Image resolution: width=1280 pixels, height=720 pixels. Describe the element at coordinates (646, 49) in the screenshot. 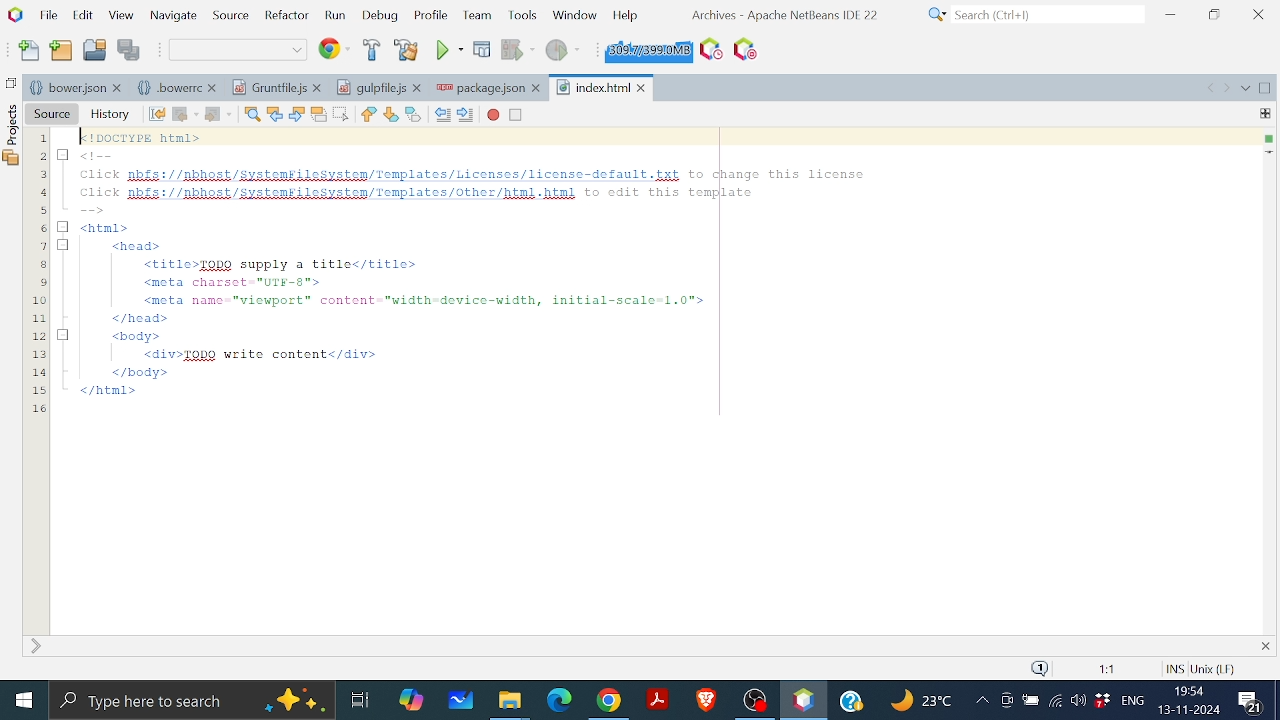

I see `Click to force garbage collection` at that location.